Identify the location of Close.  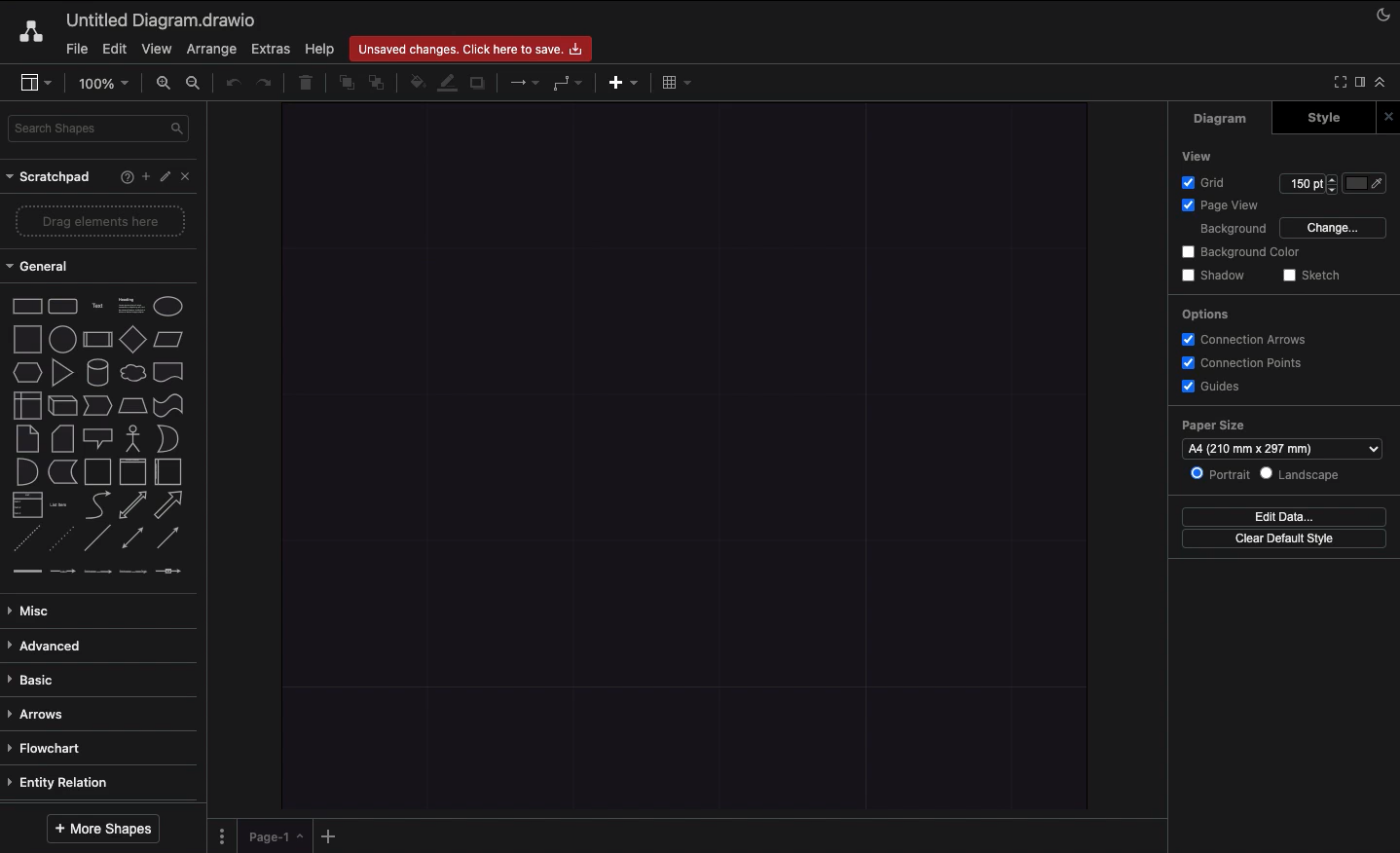
(189, 178).